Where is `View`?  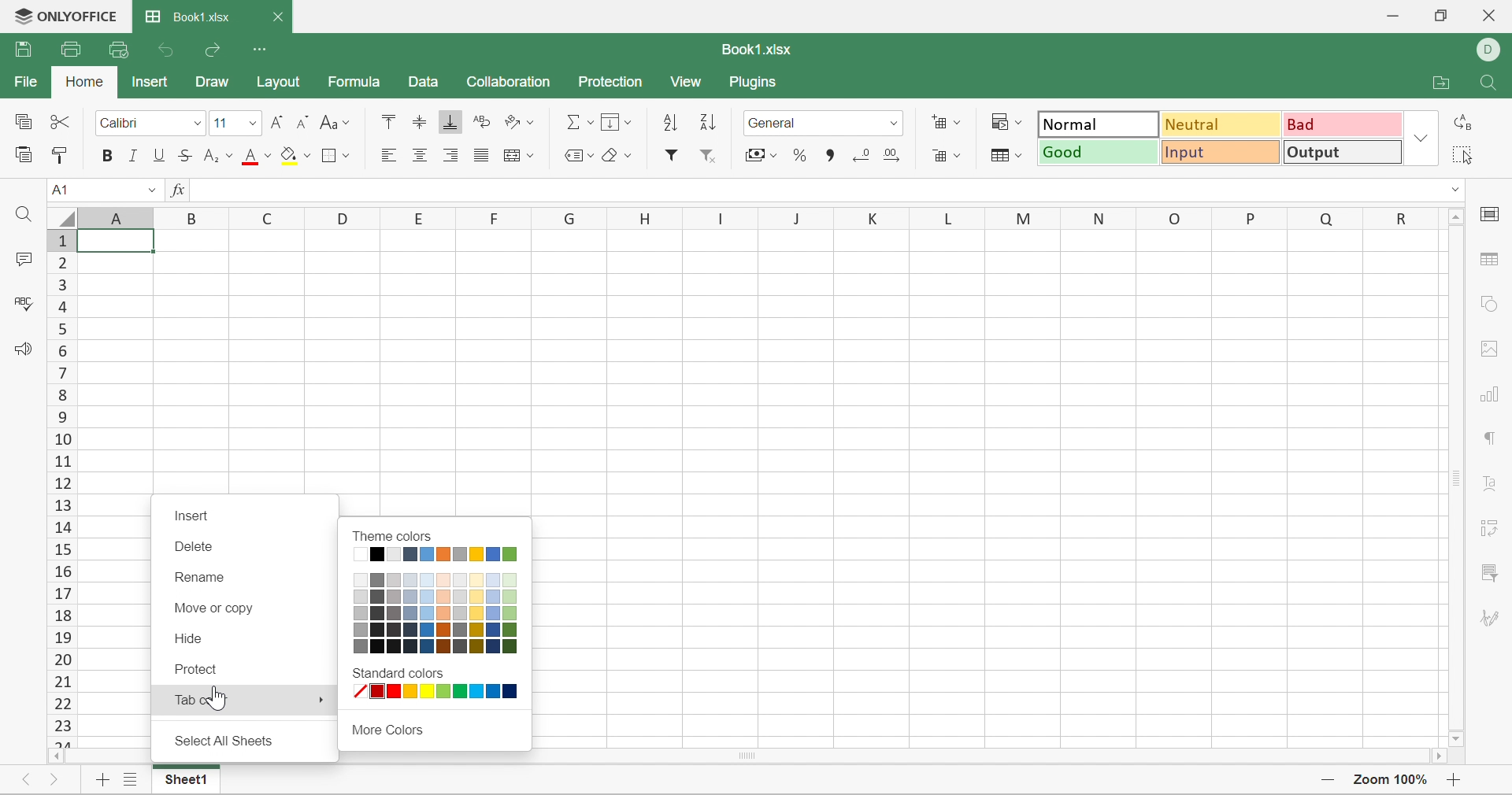 View is located at coordinates (688, 83).